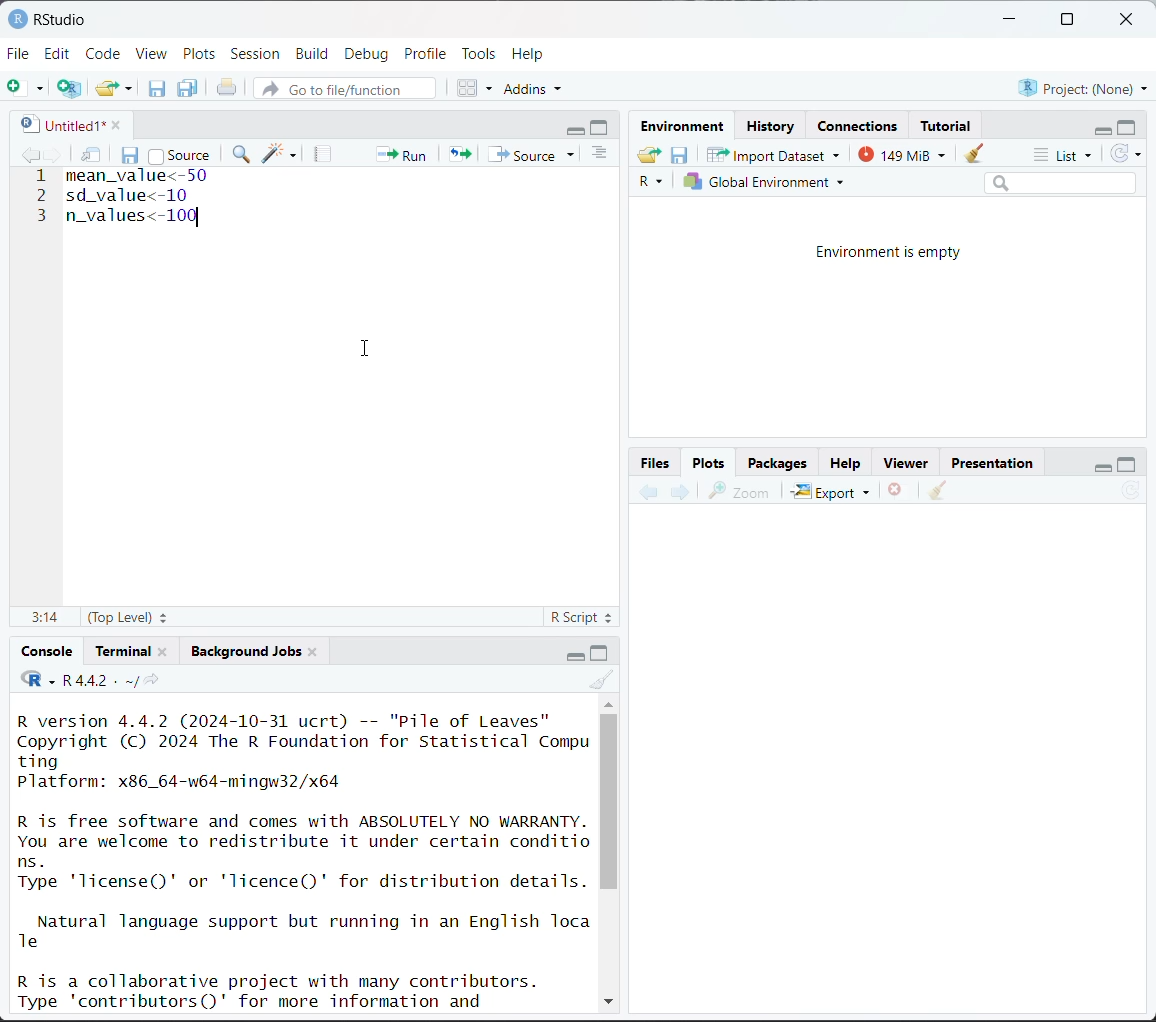 The height and width of the screenshot is (1022, 1156). I want to click on open an existing file, so click(107, 85).